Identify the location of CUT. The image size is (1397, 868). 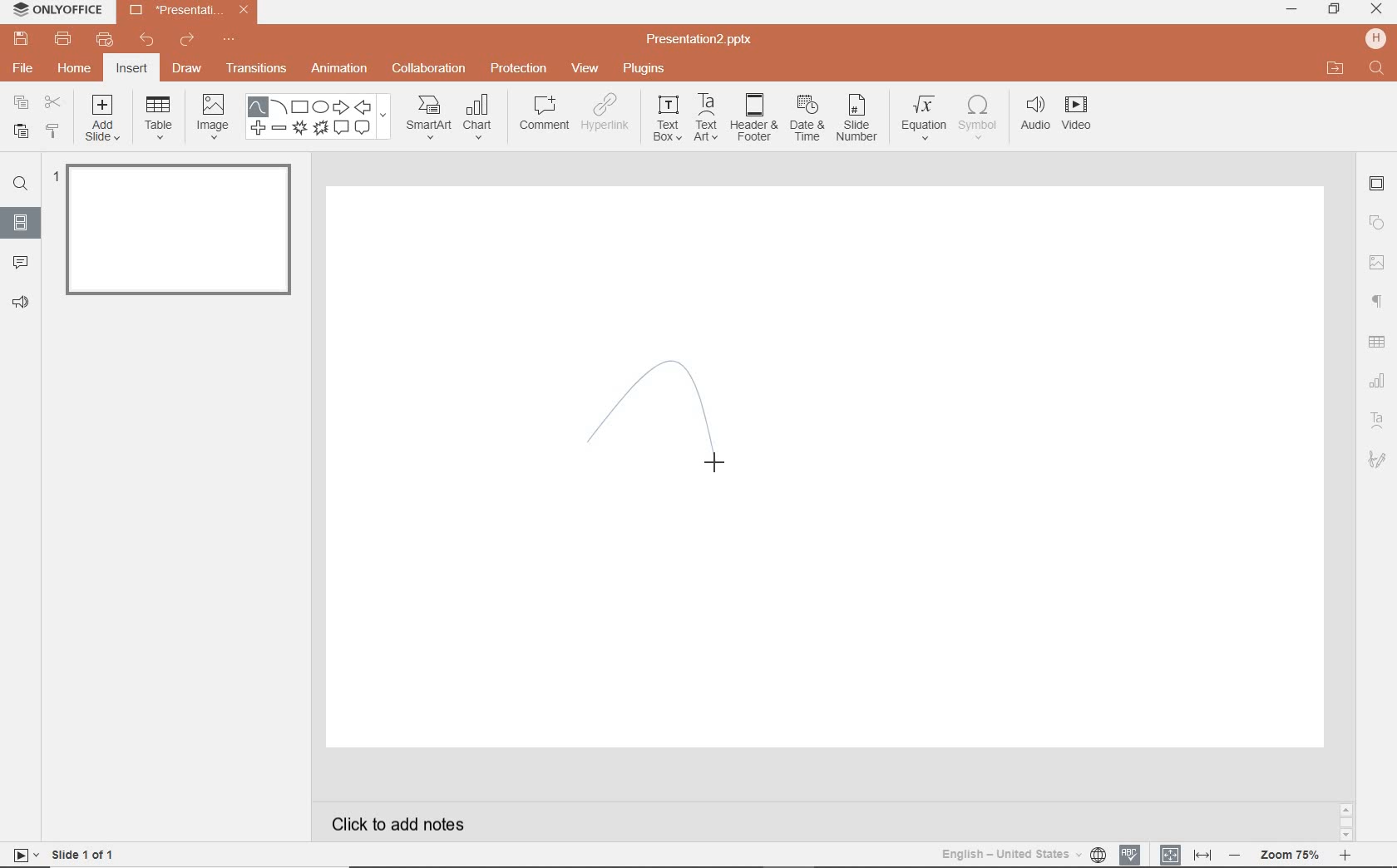
(52, 102).